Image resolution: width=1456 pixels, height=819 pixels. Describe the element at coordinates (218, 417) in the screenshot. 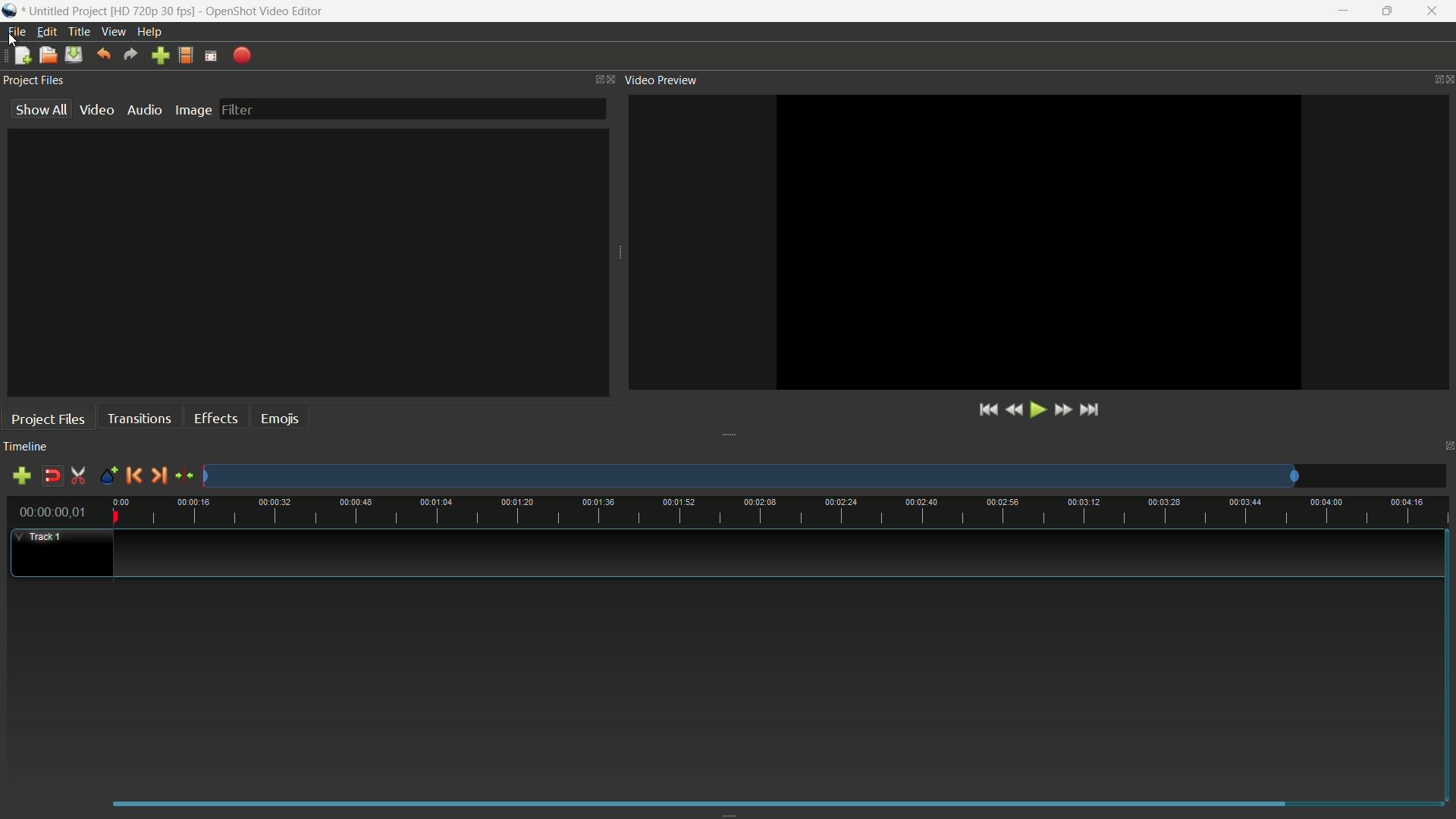

I see `effects` at that location.